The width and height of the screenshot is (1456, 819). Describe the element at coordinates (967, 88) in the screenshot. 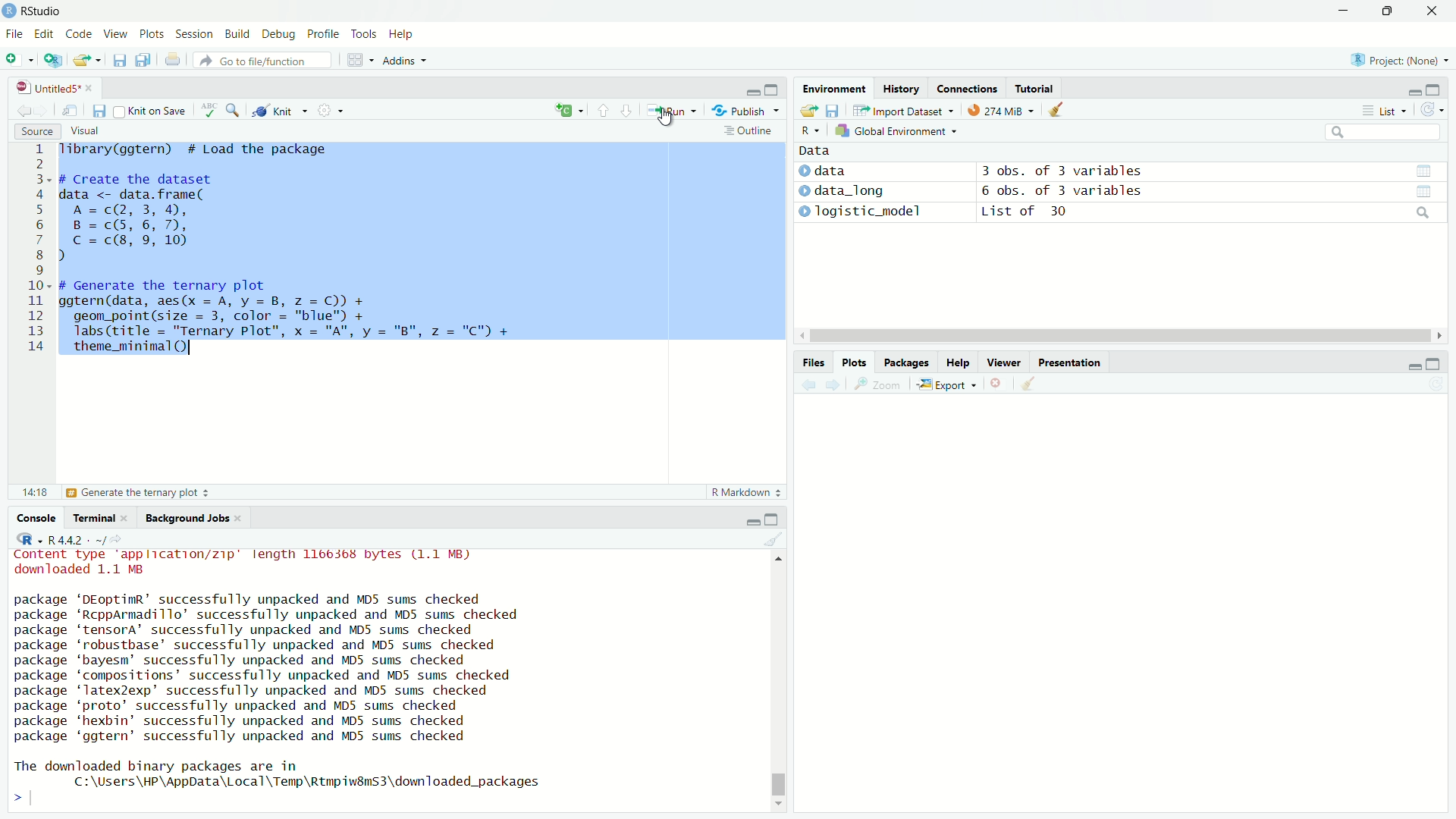

I see `Connections` at that location.